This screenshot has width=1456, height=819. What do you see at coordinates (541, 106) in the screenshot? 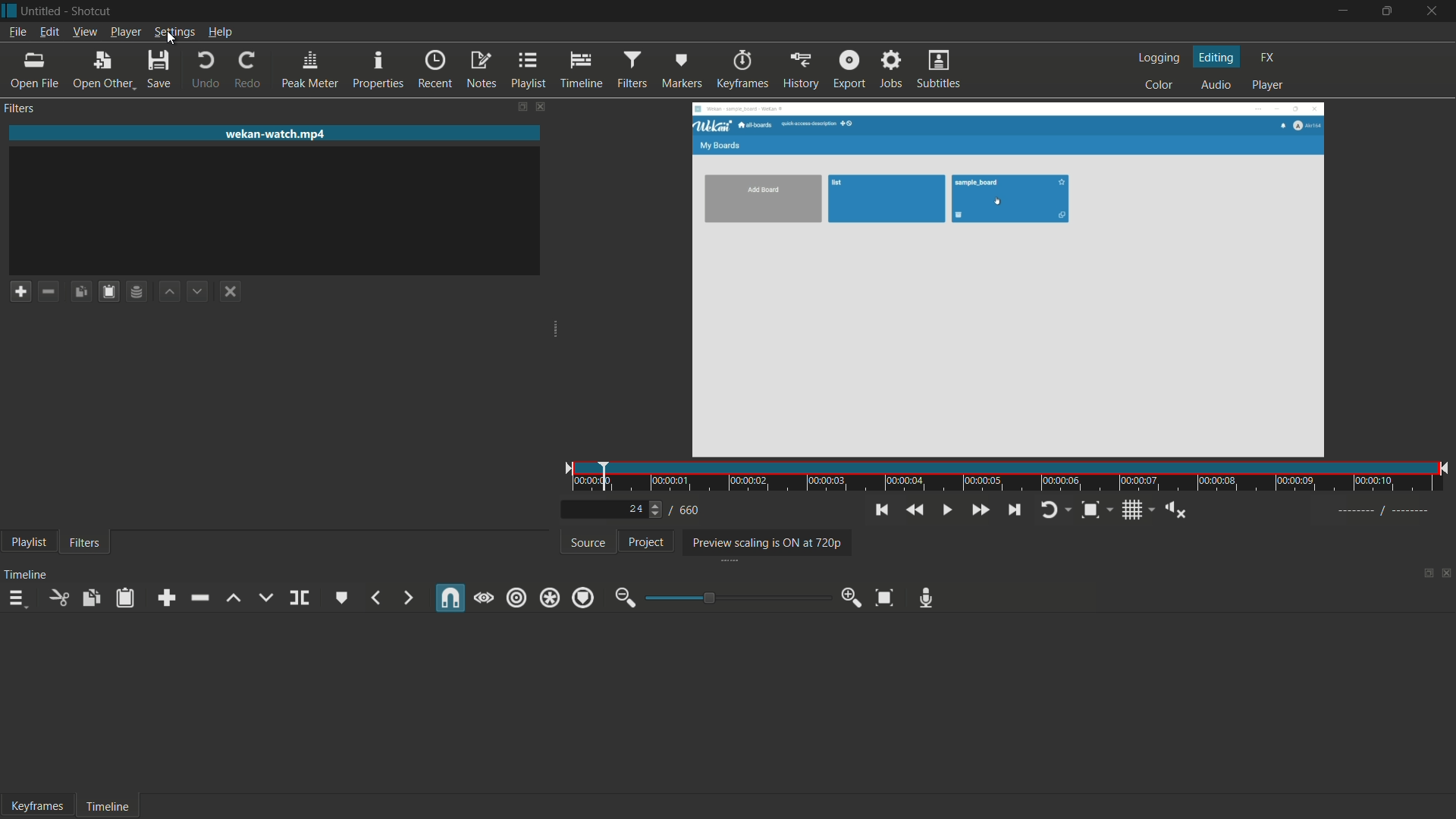
I see `close filters` at bounding box center [541, 106].